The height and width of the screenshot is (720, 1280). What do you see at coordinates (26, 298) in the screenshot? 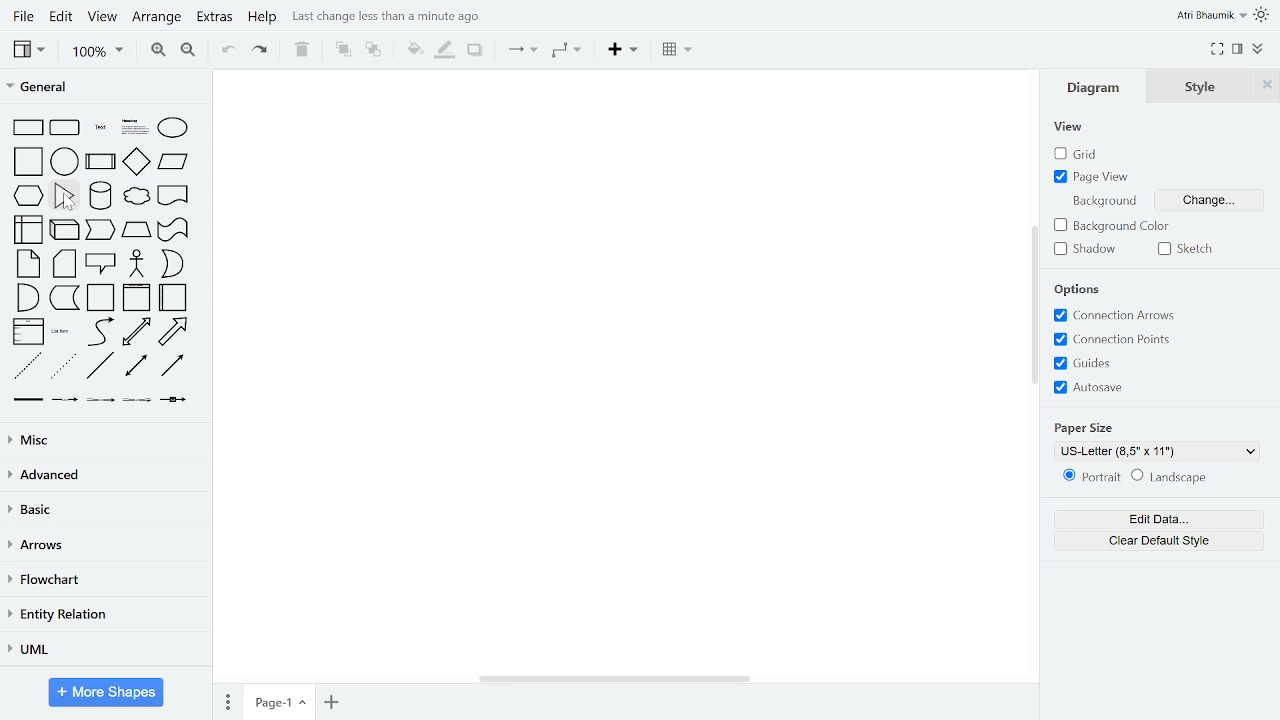
I see `and` at bounding box center [26, 298].